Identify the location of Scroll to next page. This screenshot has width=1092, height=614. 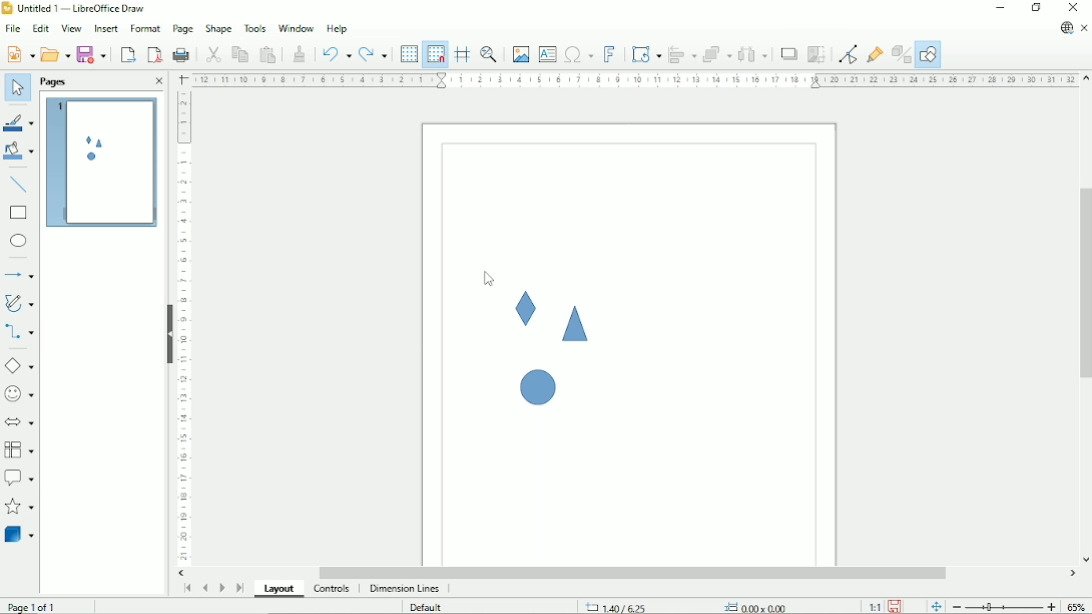
(221, 587).